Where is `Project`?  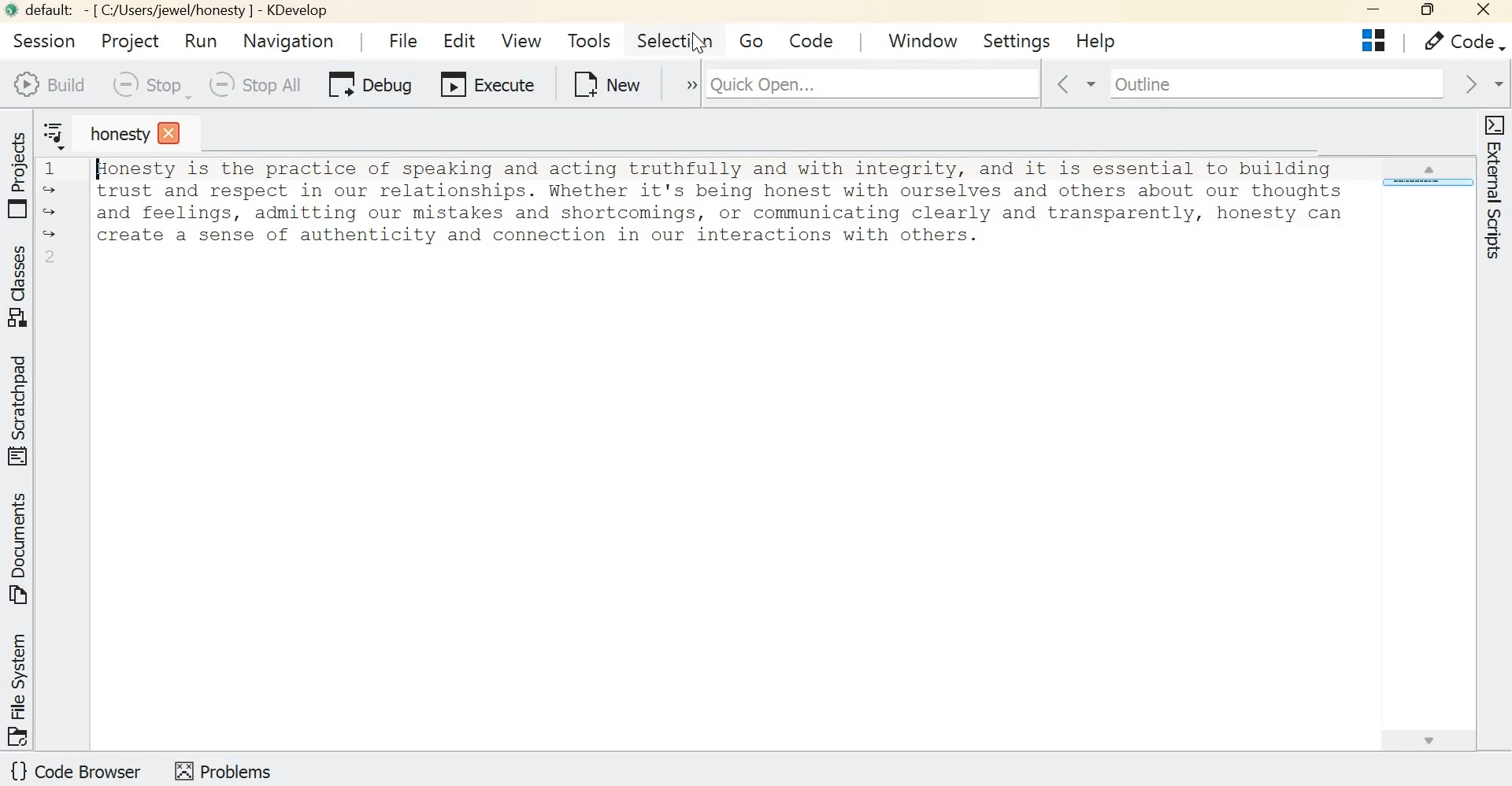
Project is located at coordinates (128, 39).